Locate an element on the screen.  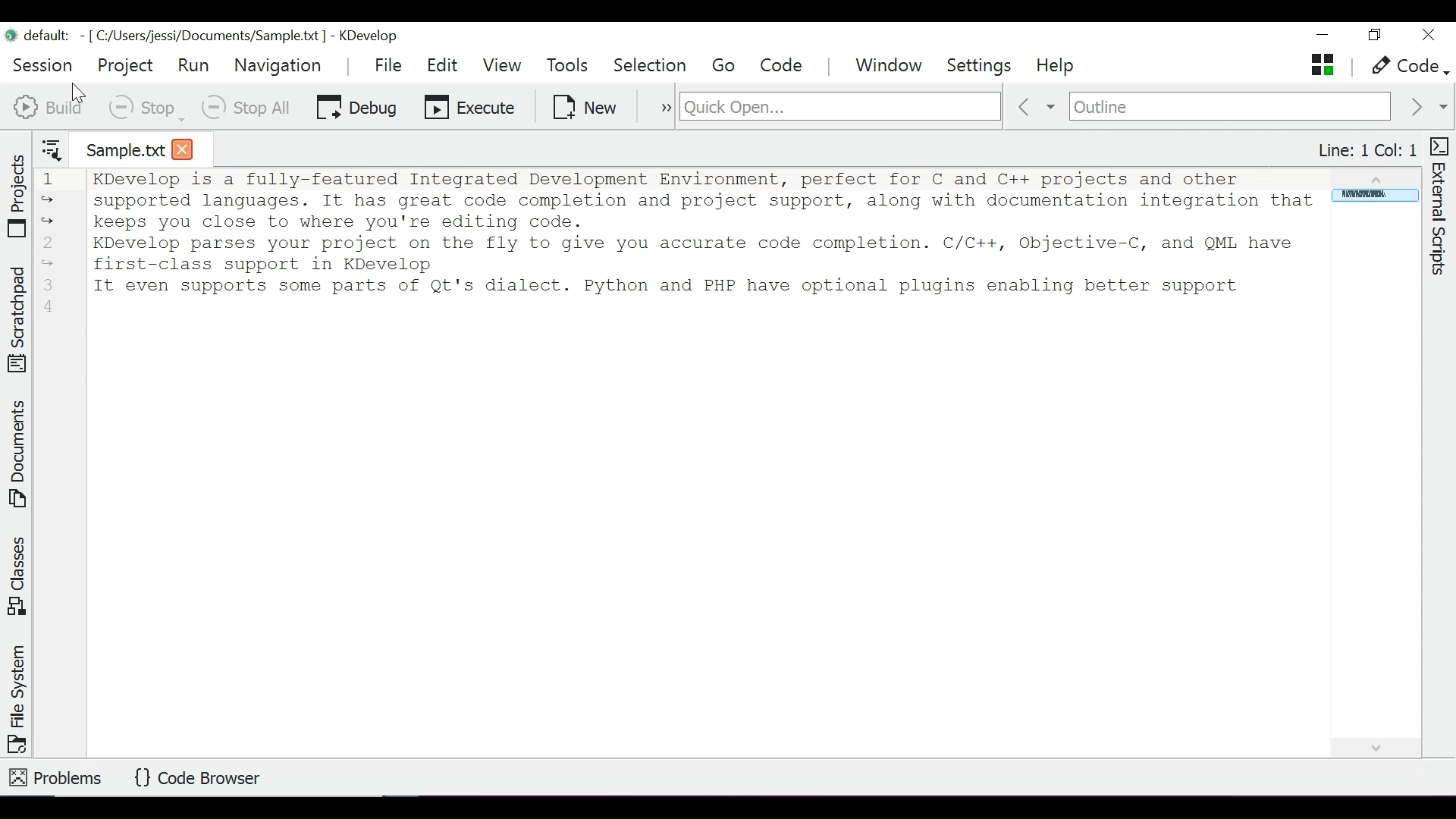
Restore is located at coordinates (1376, 36).